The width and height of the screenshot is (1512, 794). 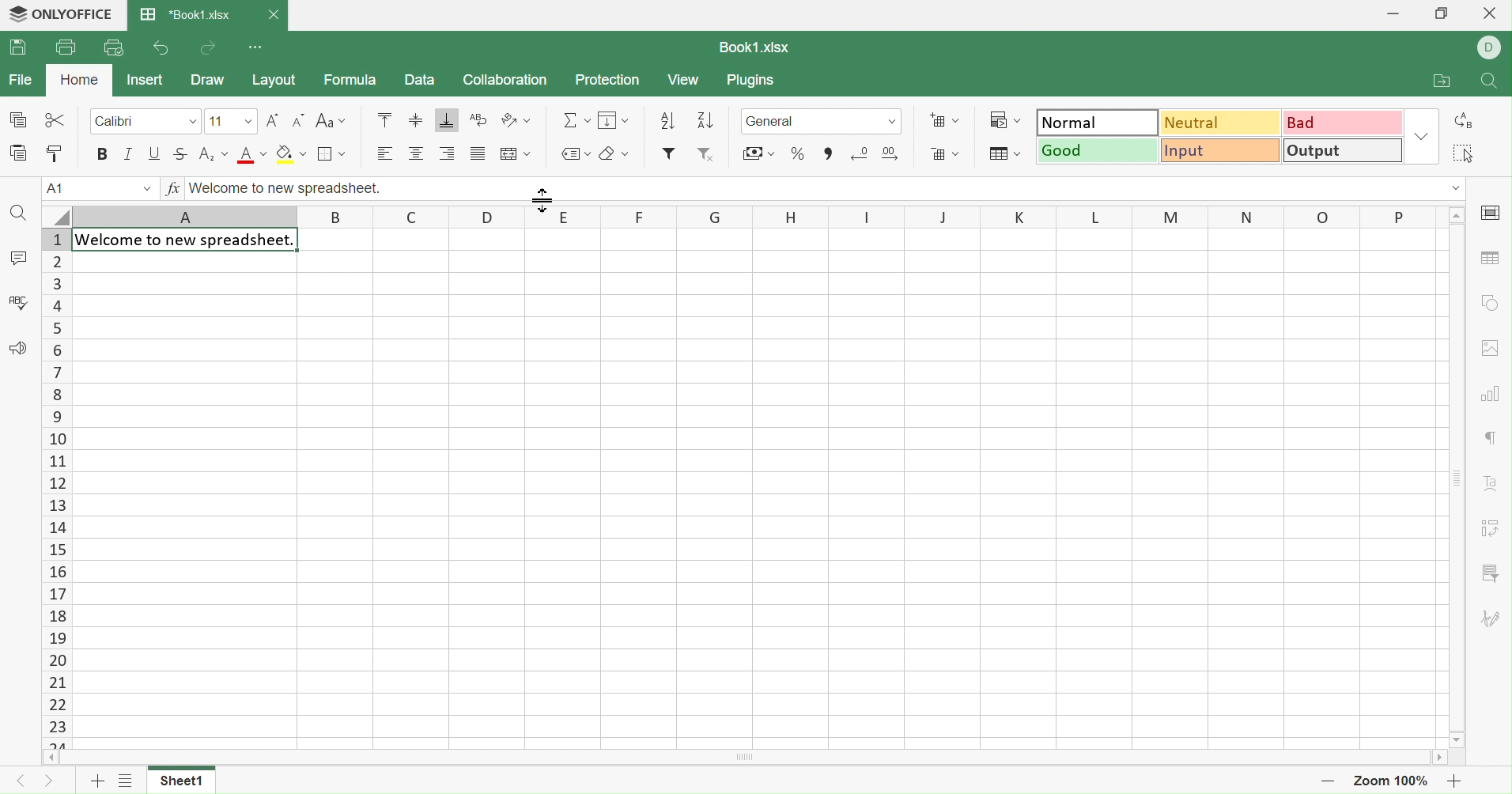 I want to click on Format as table template, so click(x=1004, y=154).